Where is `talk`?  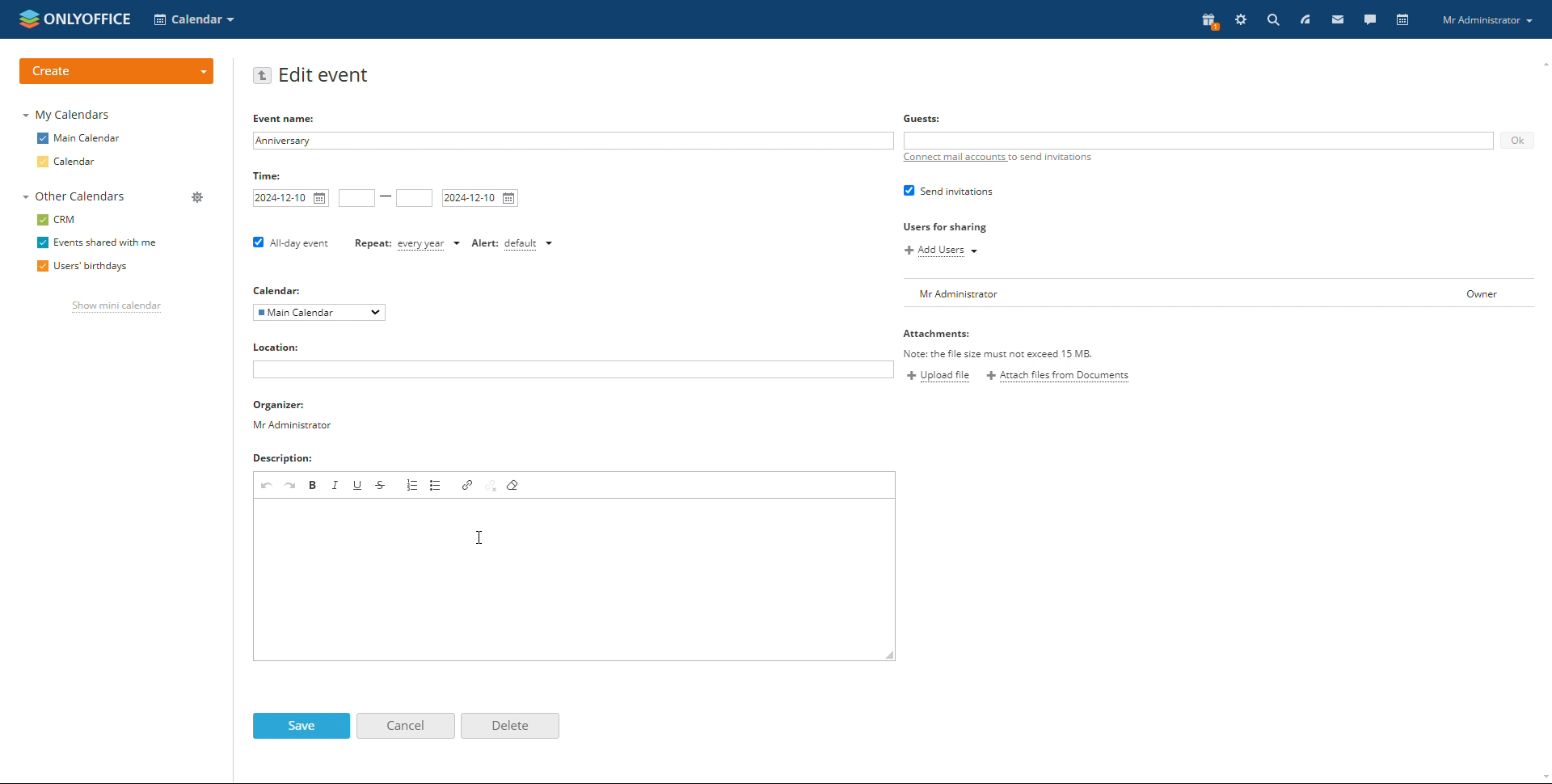
talk is located at coordinates (1369, 19).